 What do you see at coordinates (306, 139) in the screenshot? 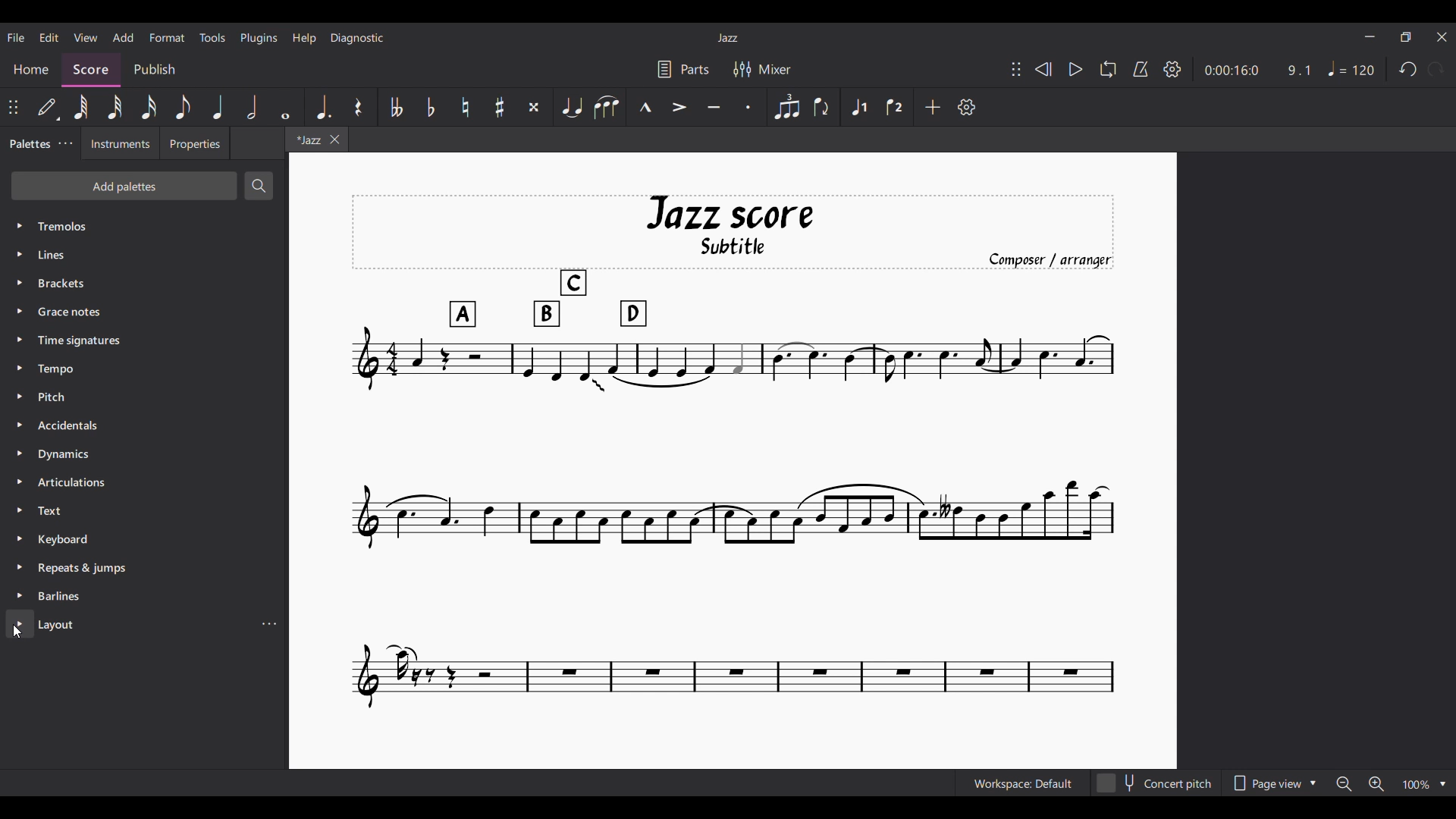
I see `*Jazz - current tab` at bounding box center [306, 139].